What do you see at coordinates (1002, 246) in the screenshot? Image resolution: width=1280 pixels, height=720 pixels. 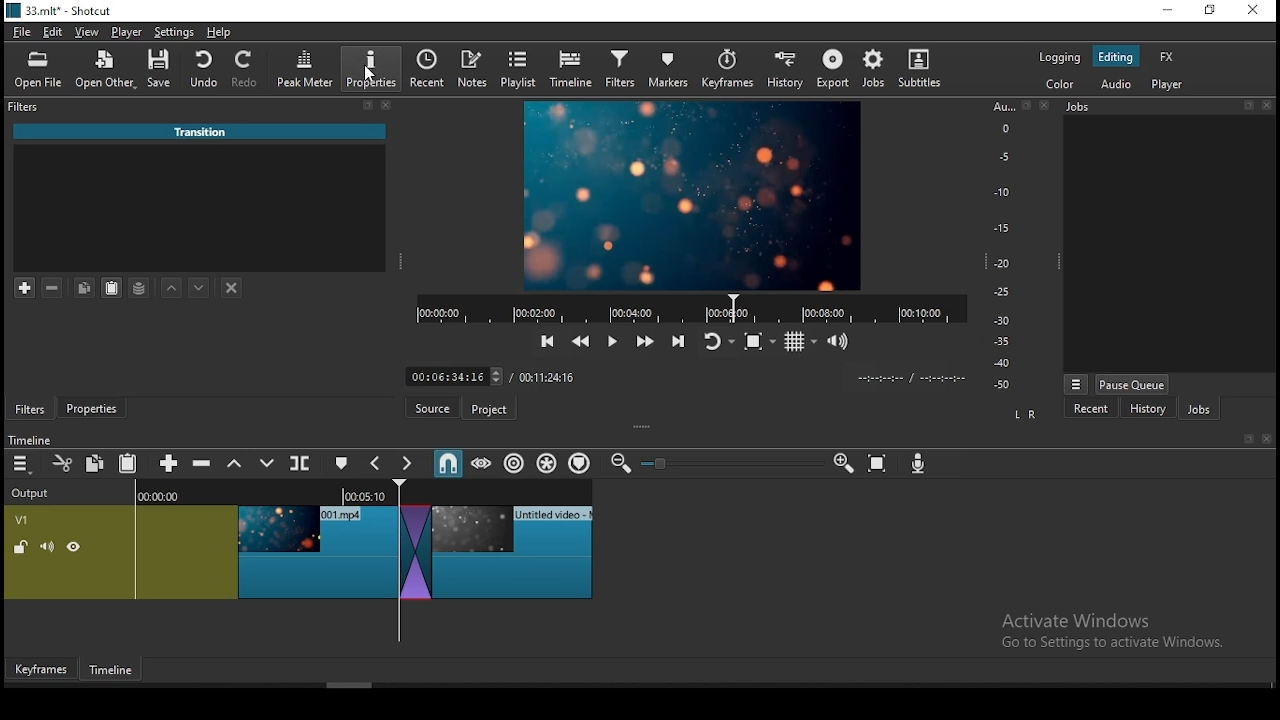 I see `audio bar` at bounding box center [1002, 246].